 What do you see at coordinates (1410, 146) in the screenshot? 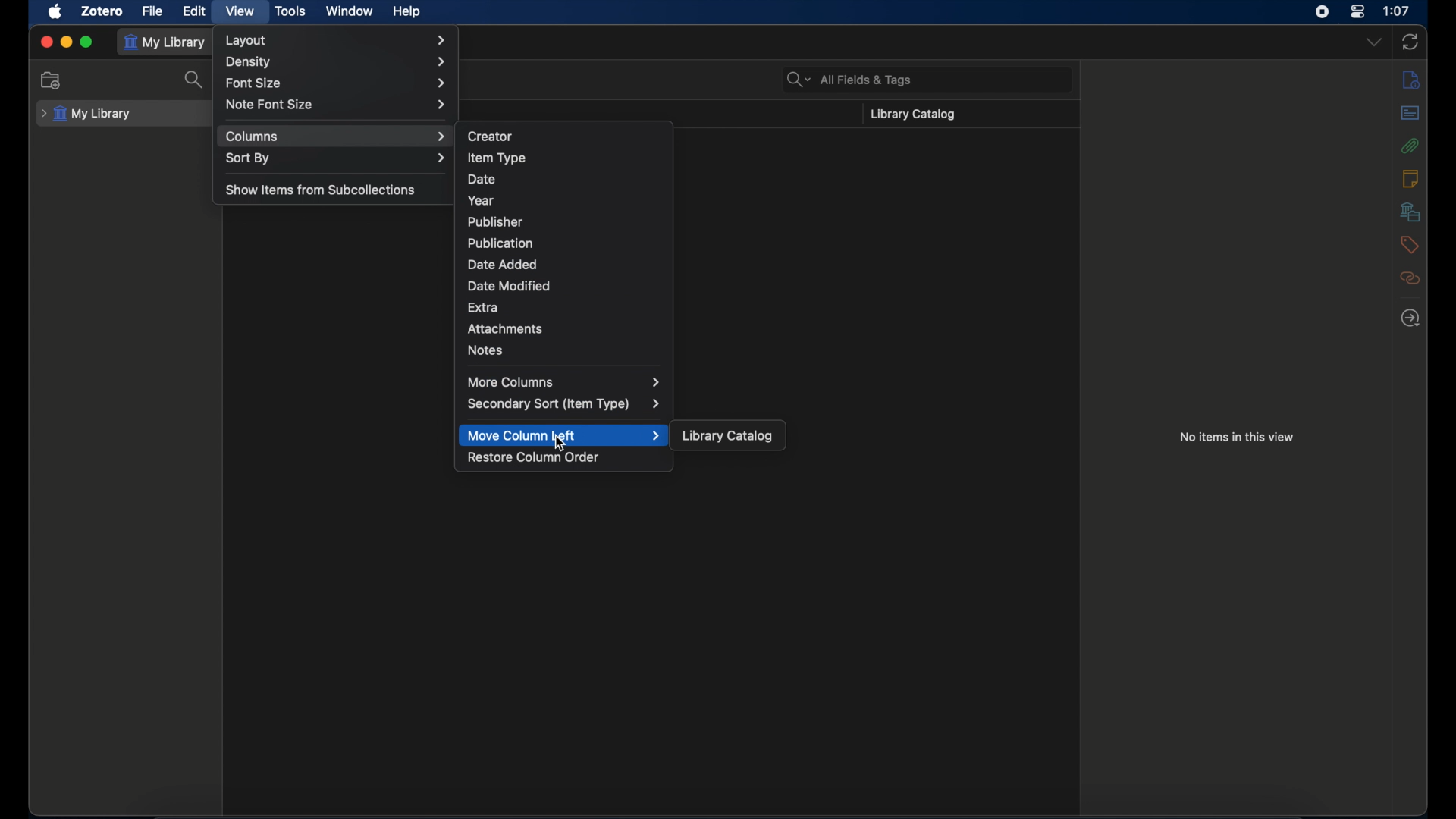
I see `attachments` at bounding box center [1410, 146].